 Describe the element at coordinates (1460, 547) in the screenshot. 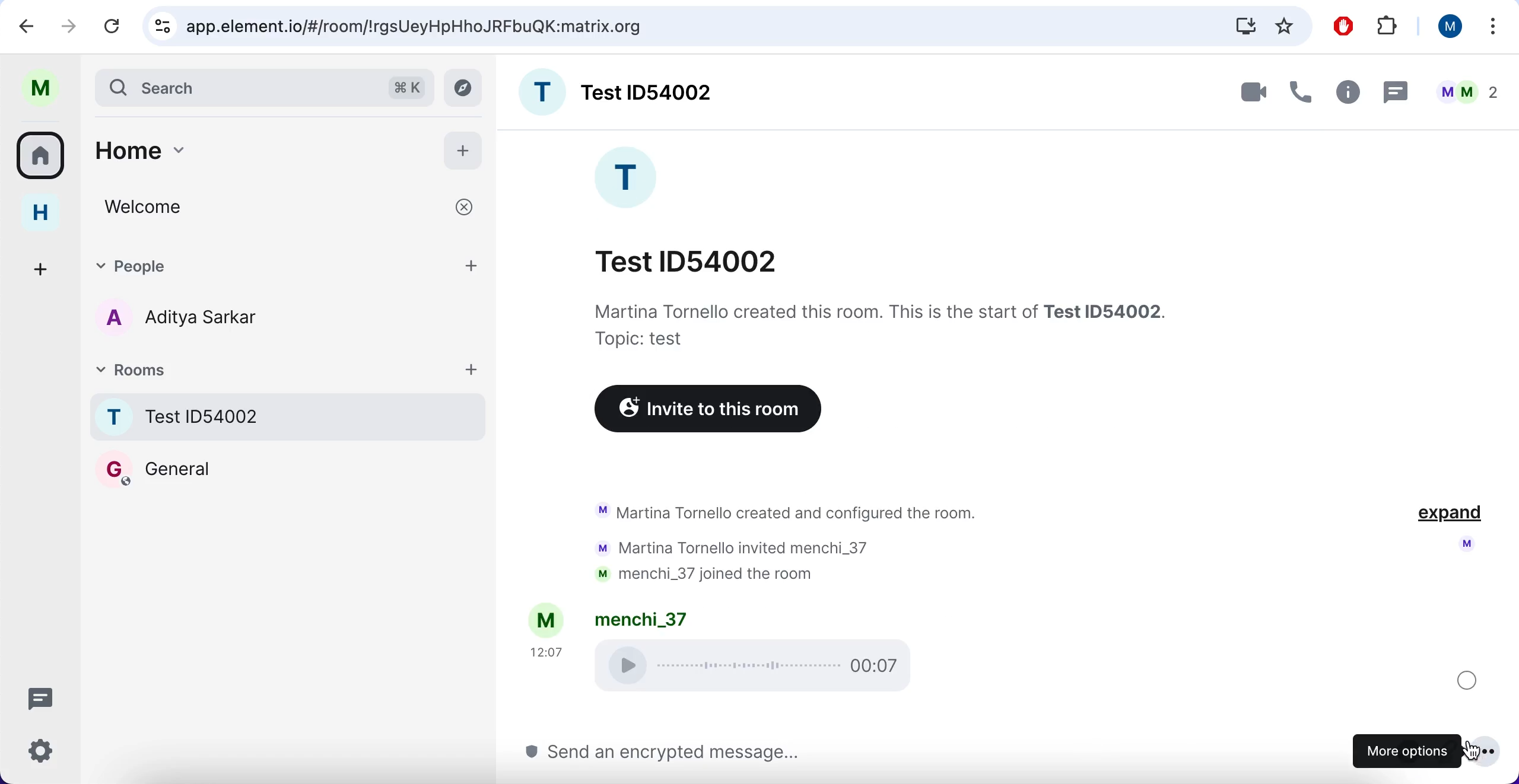

I see `profile pictur` at that location.